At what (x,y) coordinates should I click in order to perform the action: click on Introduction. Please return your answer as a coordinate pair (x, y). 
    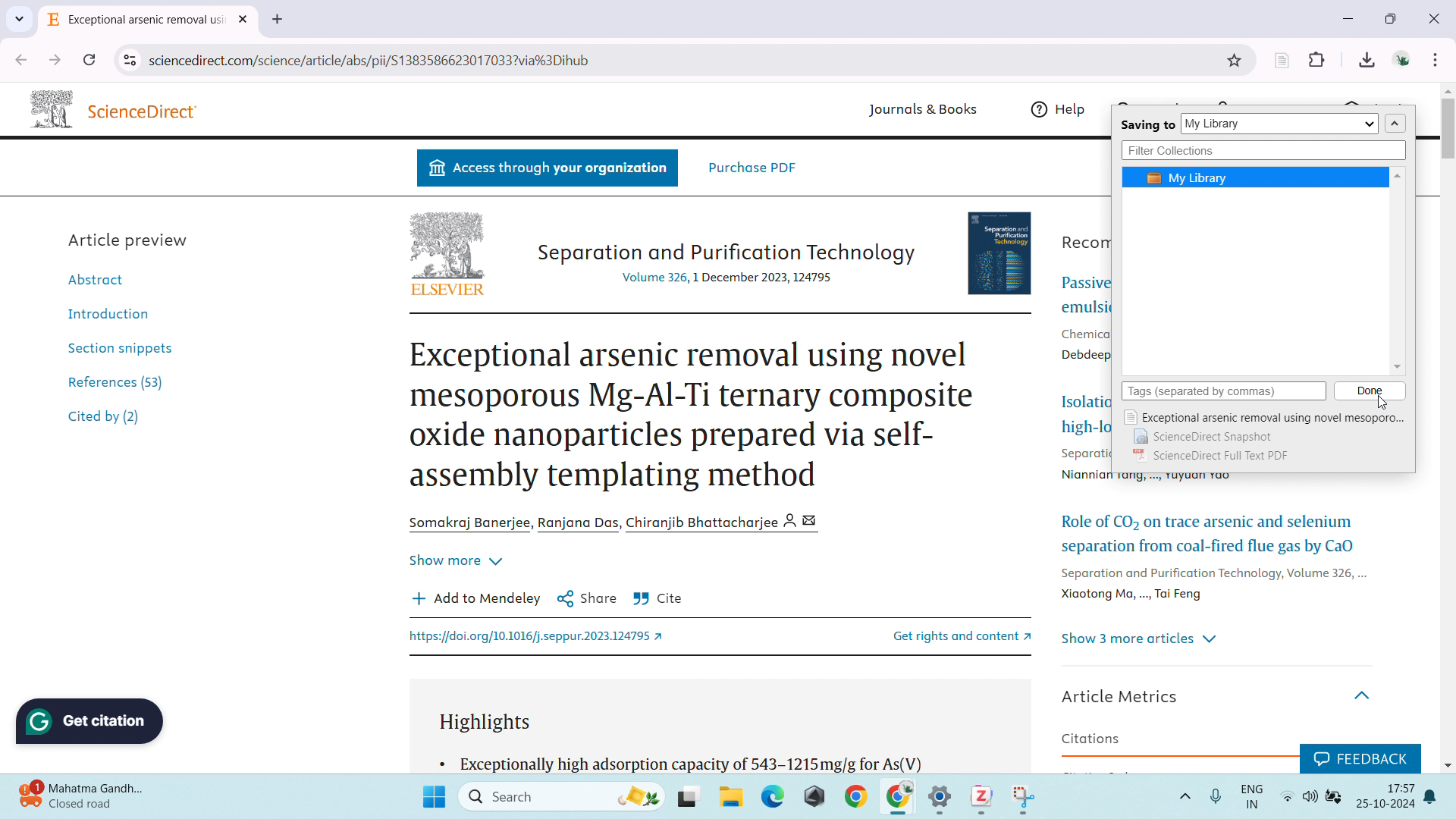
    Looking at the image, I should click on (104, 312).